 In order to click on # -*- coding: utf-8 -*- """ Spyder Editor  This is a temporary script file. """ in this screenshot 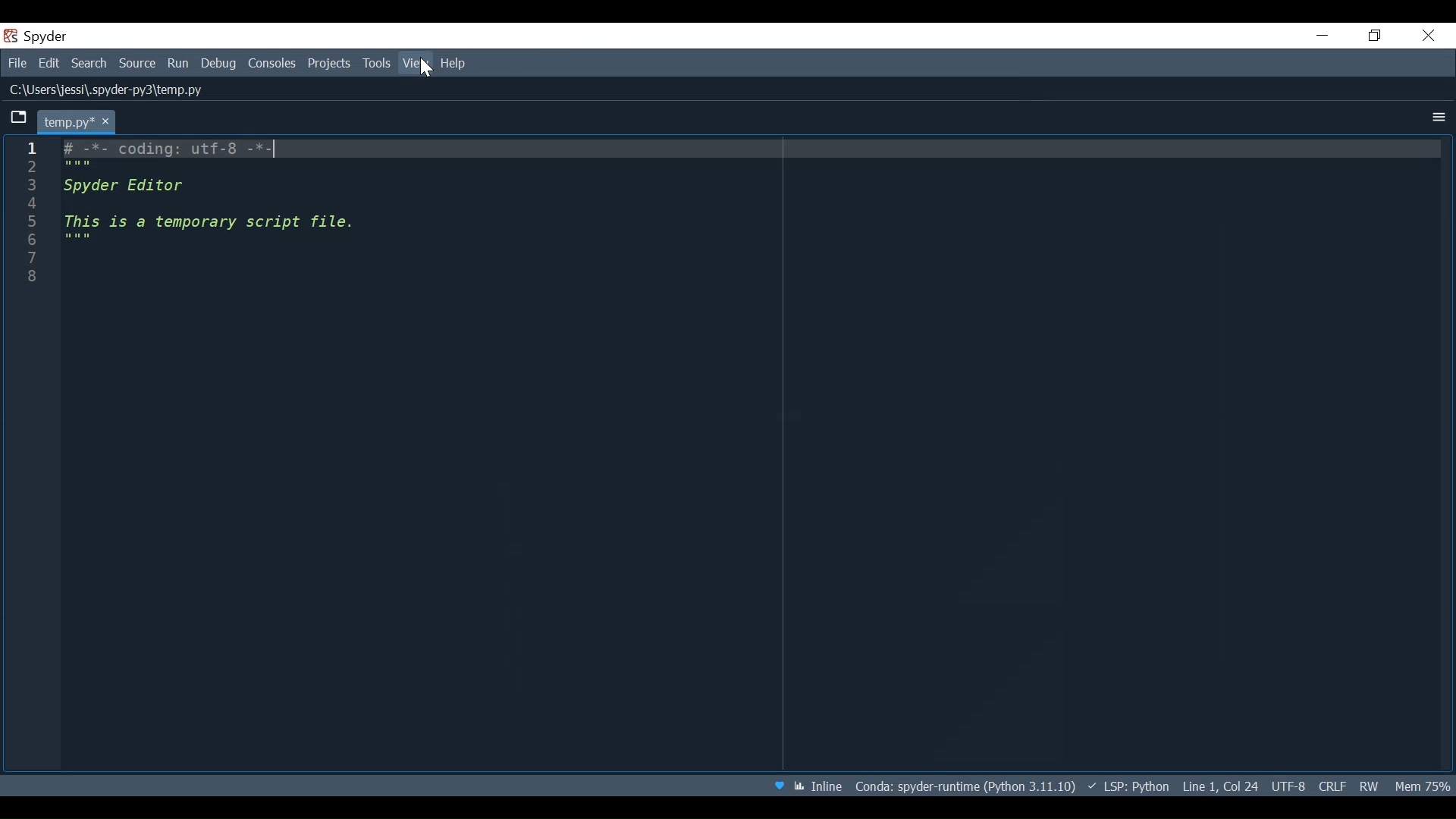, I will do `click(750, 217)`.